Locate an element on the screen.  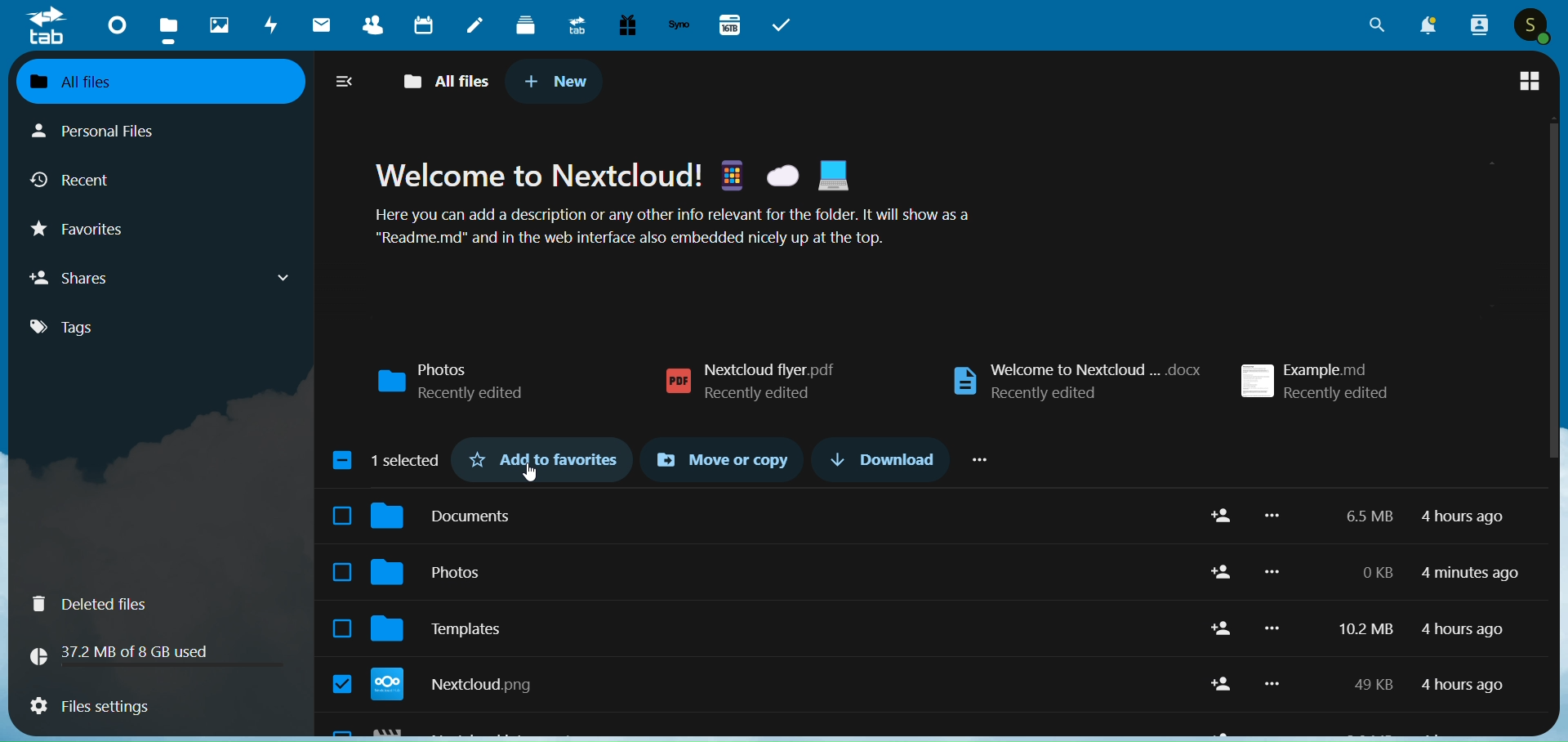
move or copy is located at coordinates (720, 458).